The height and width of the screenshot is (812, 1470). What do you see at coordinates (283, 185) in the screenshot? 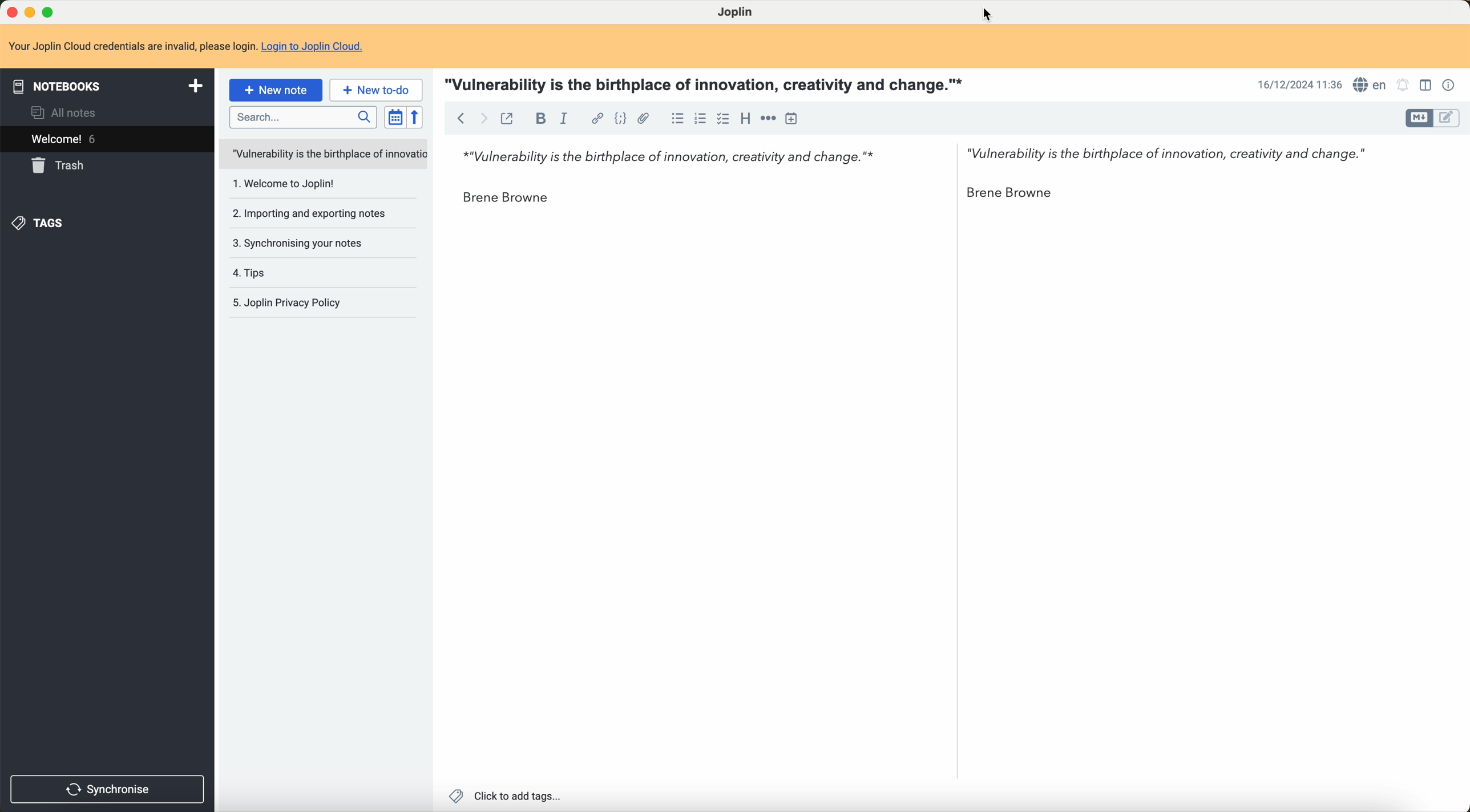
I see `welcome to joplin` at bounding box center [283, 185].